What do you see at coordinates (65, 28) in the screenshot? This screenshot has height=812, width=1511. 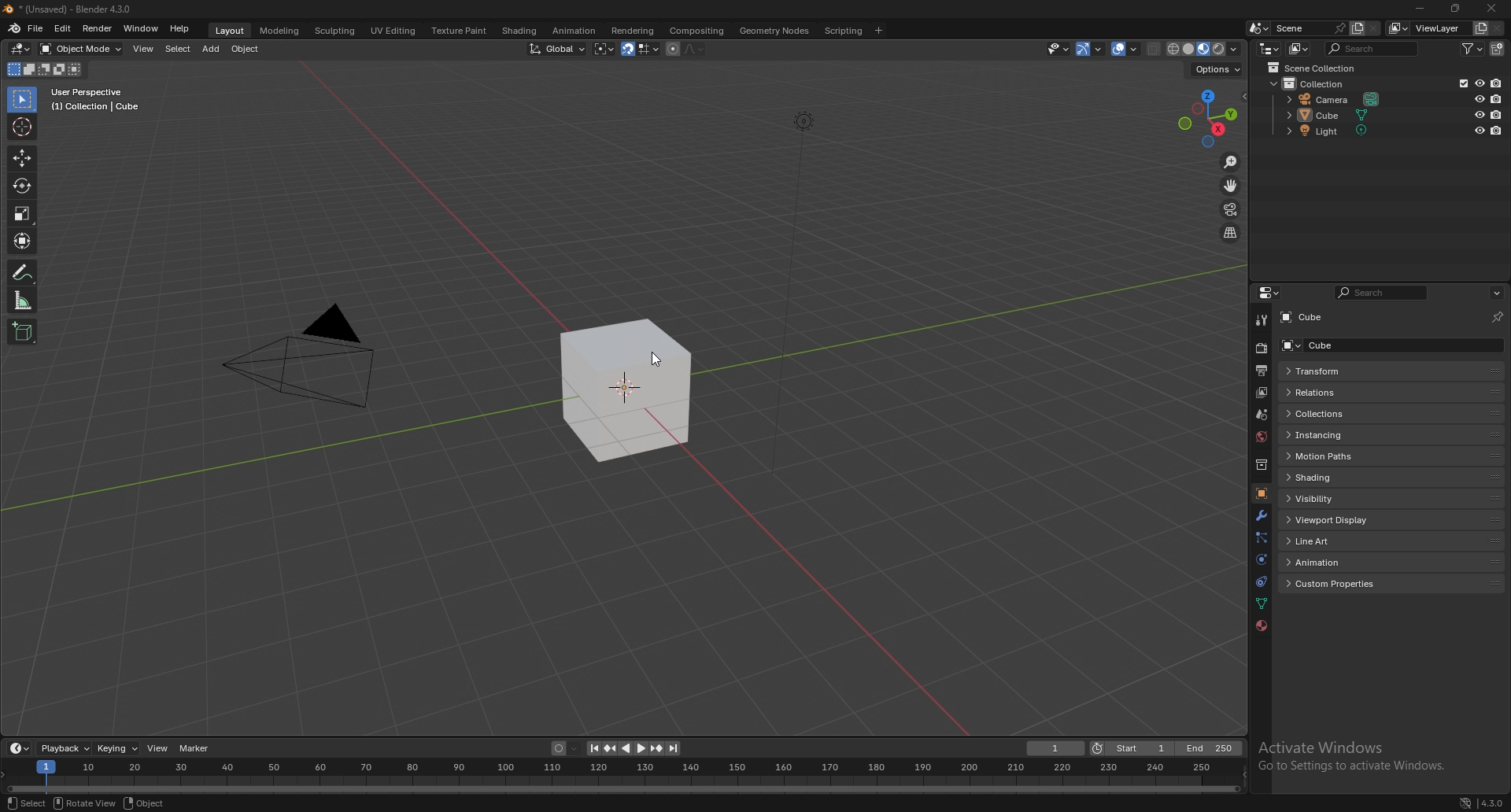 I see `edit` at bounding box center [65, 28].